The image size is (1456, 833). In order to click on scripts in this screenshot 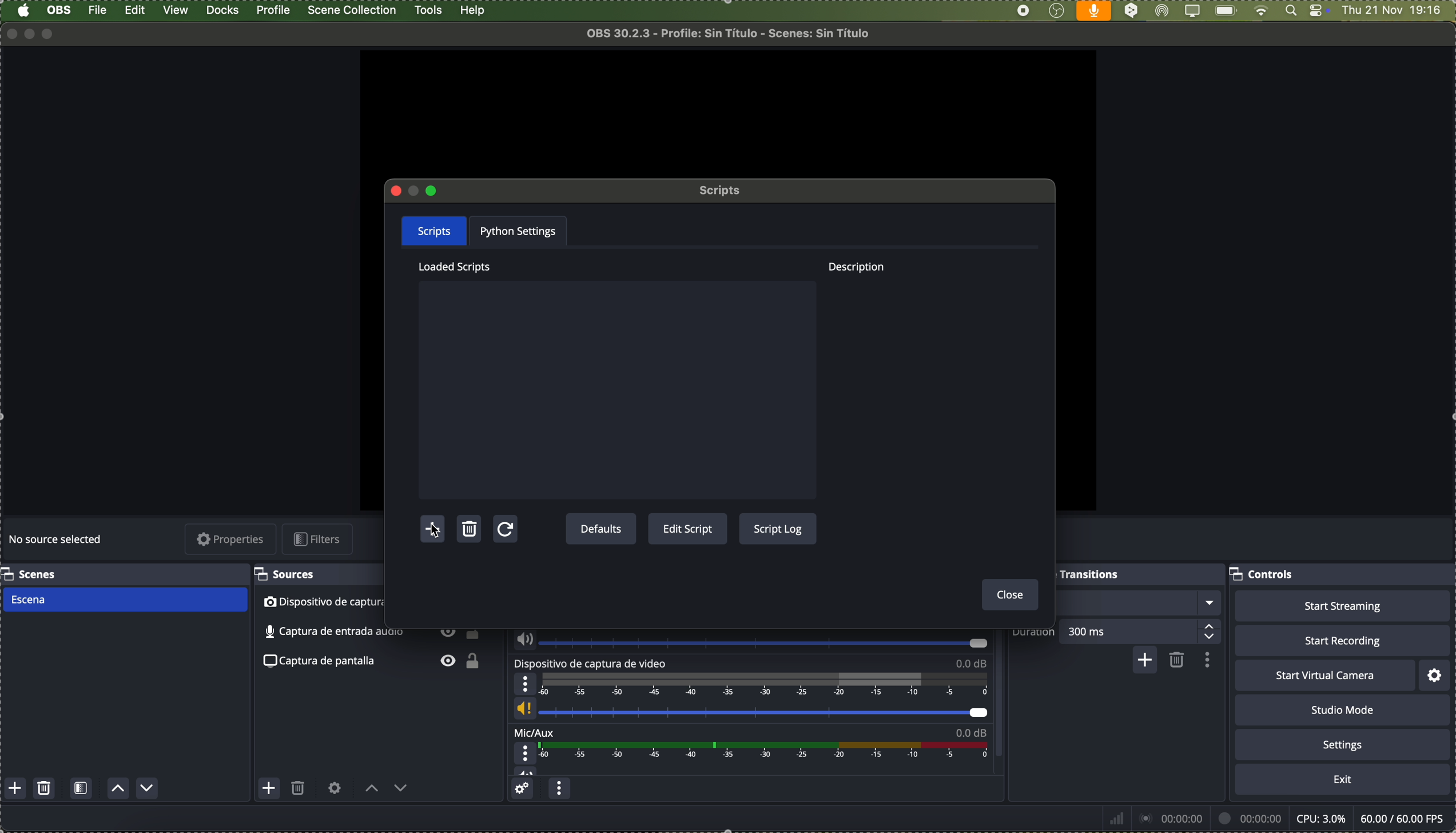, I will do `click(722, 191)`.